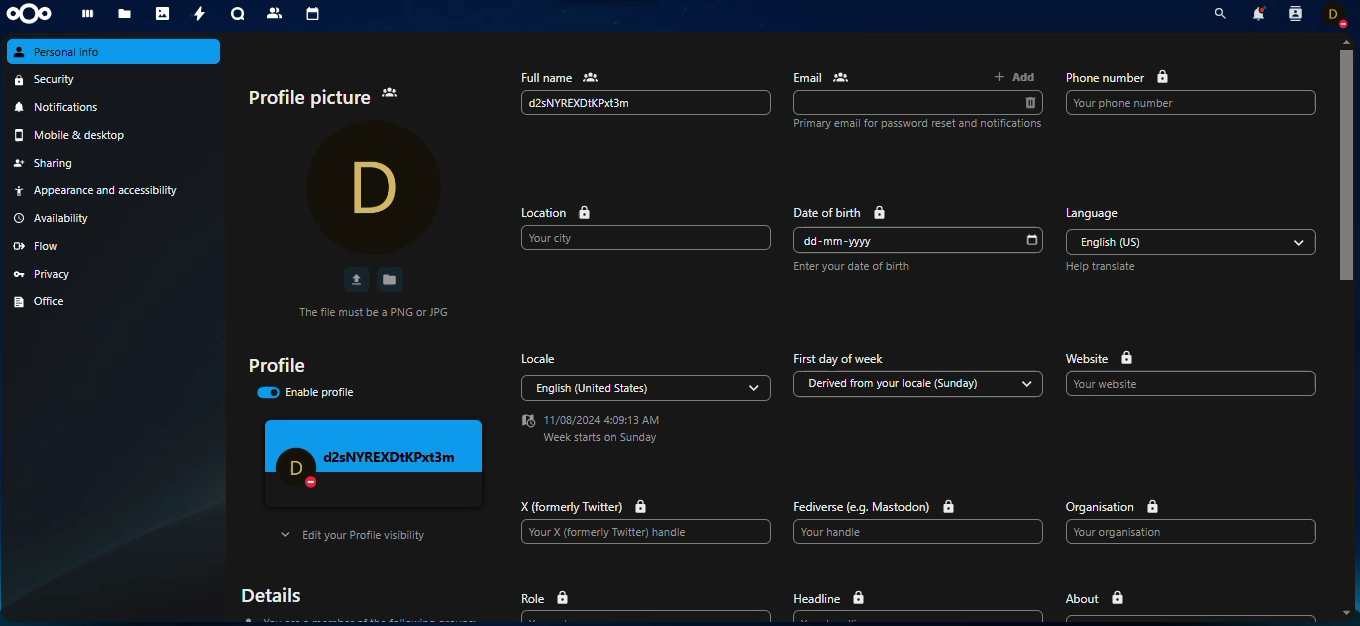 The width and height of the screenshot is (1360, 626). What do you see at coordinates (918, 532) in the screenshot?
I see `Your handle` at bounding box center [918, 532].